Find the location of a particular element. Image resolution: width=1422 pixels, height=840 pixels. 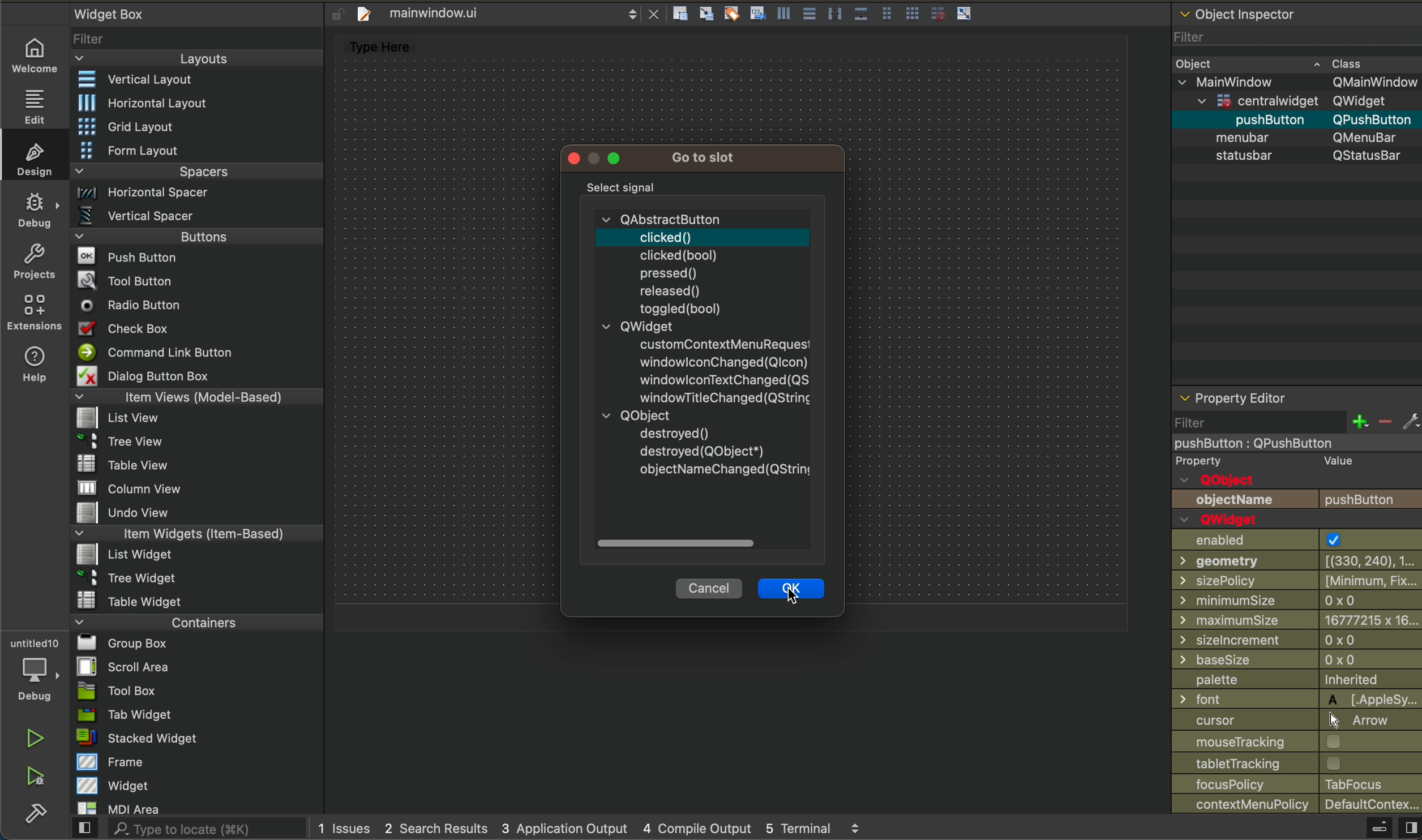

undo view is located at coordinates (198, 513).